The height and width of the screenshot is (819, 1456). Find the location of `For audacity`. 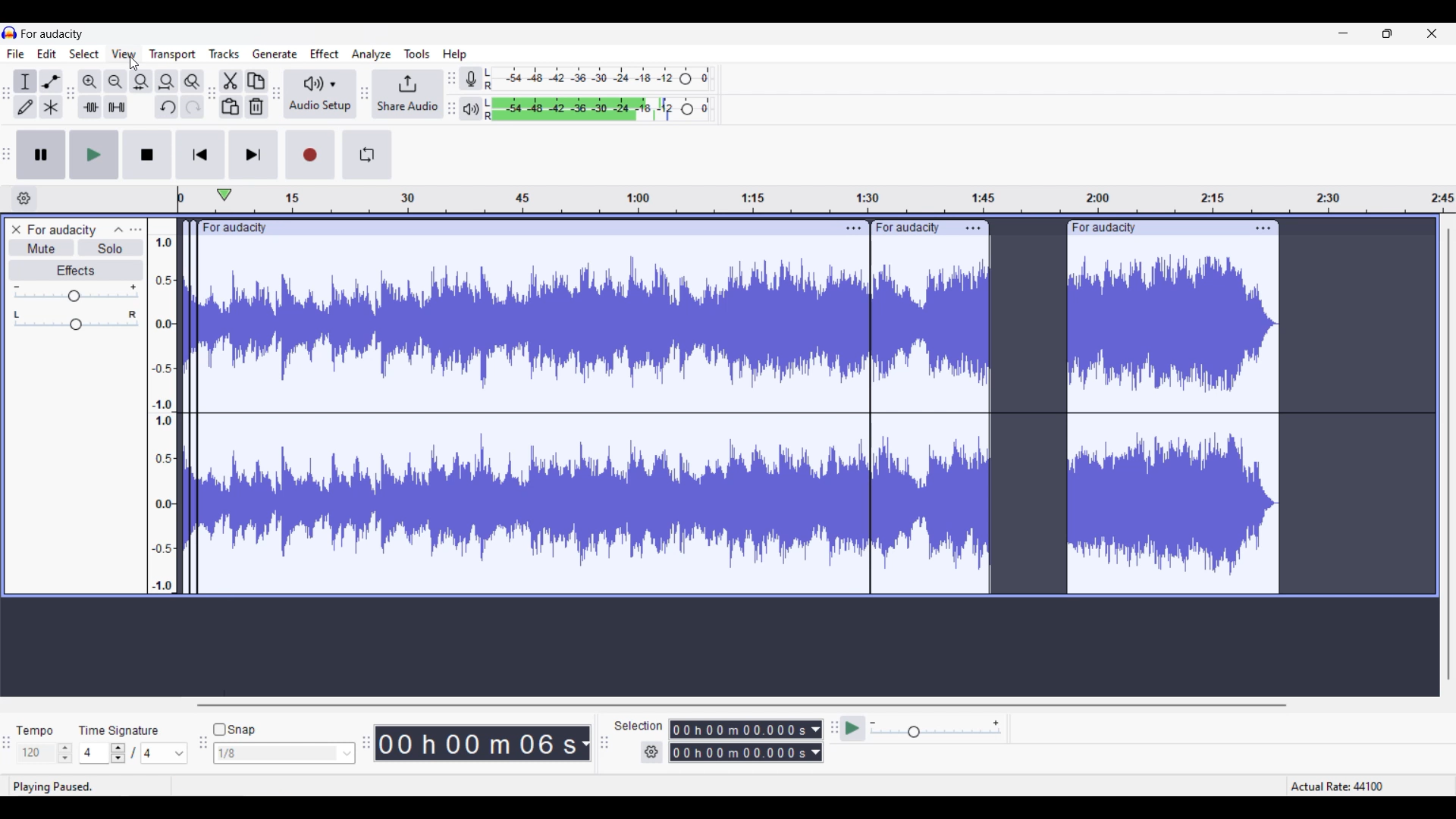

For audacity is located at coordinates (61, 230).